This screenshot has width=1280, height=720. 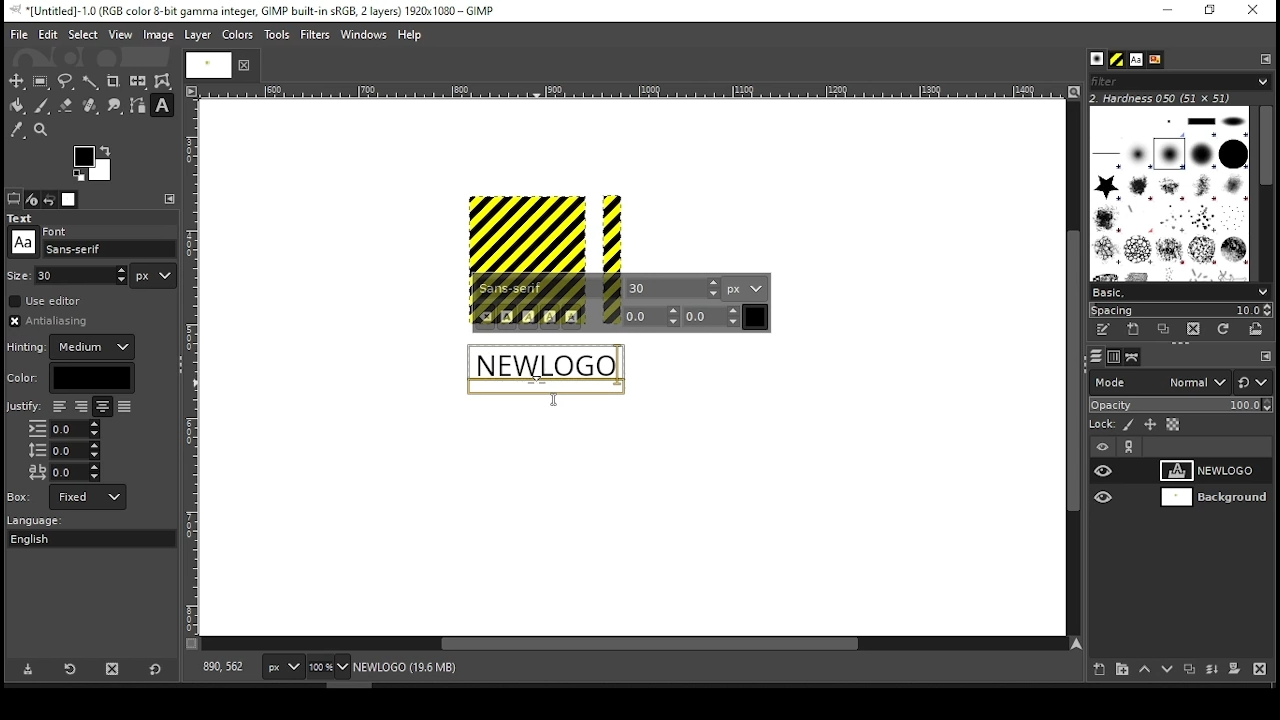 What do you see at coordinates (19, 35) in the screenshot?
I see `file` at bounding box center [19, 35].